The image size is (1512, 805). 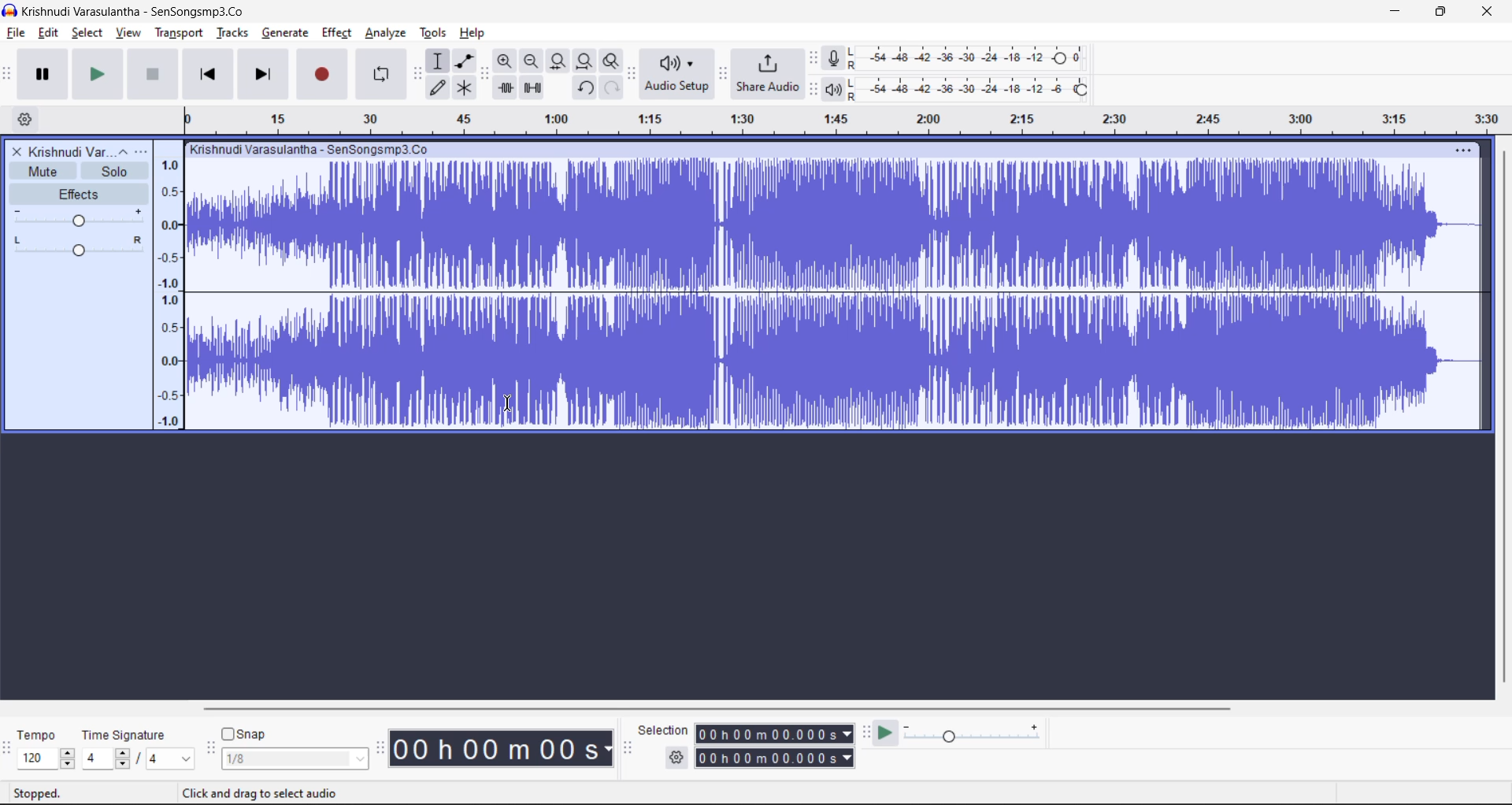 I want to click on undo, so click(x=587, y=88).